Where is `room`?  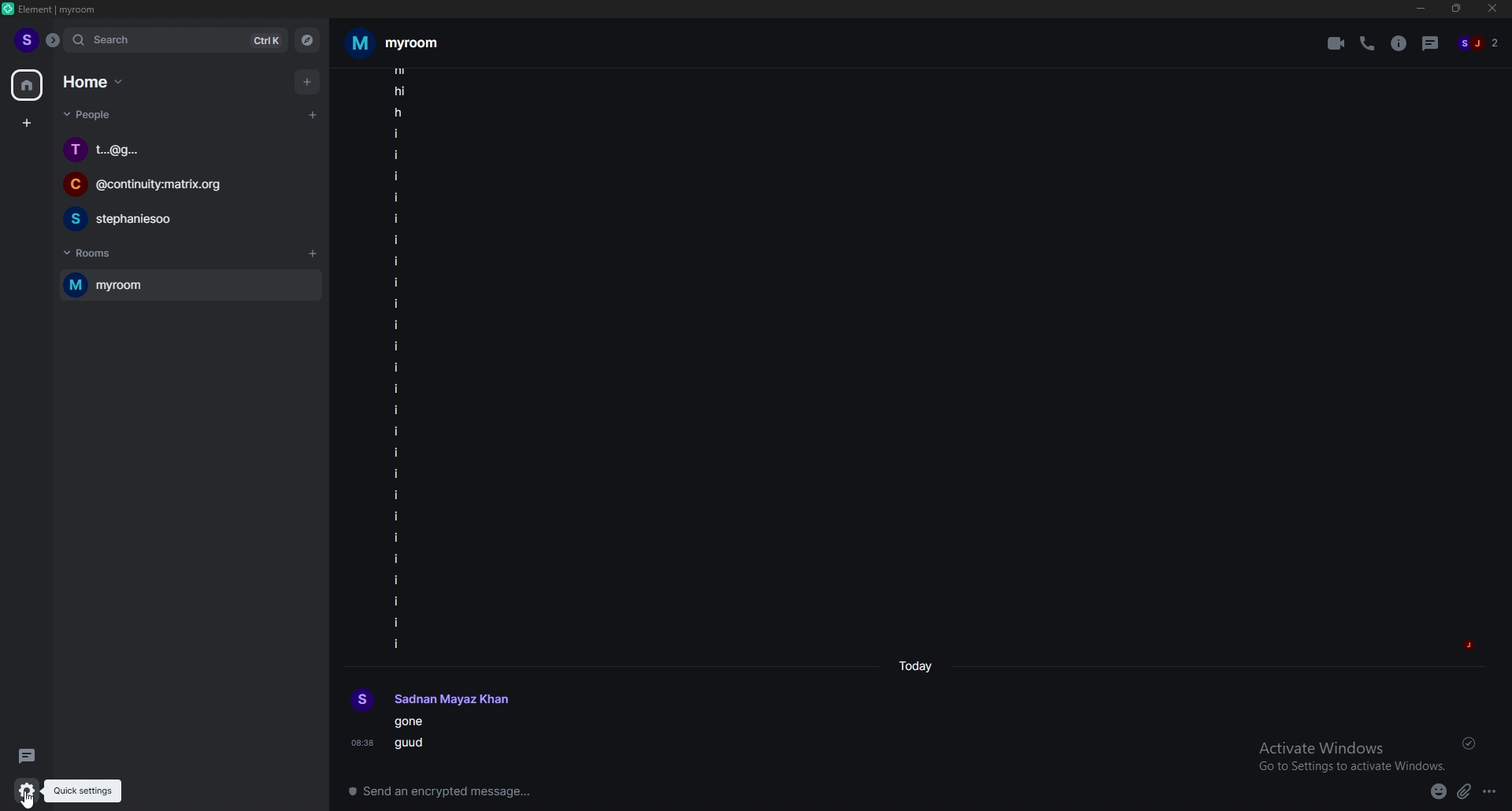
room is located at coordinates (187, 286).